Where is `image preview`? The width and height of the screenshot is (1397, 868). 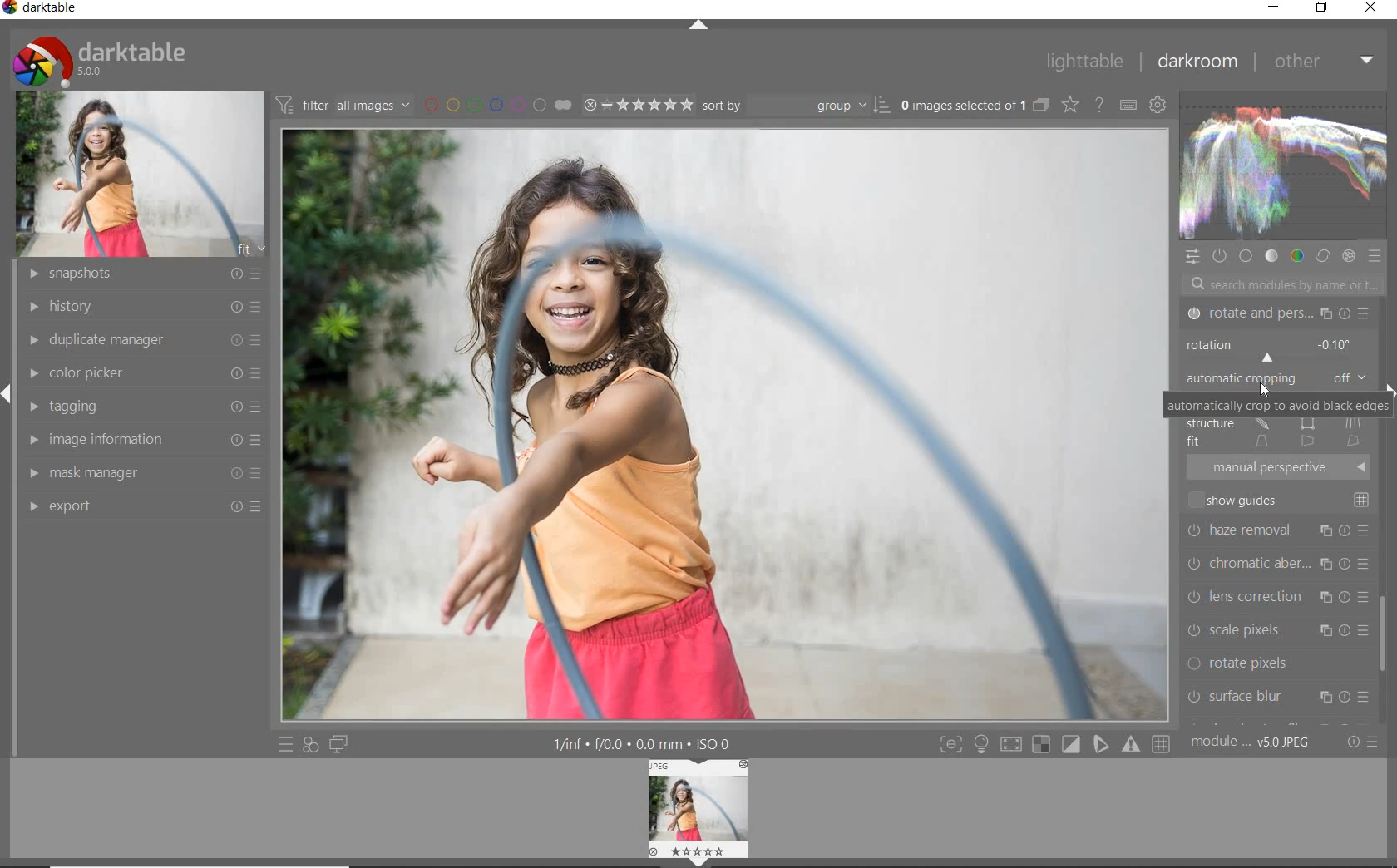 image preview is located at coordinates (701, 813).